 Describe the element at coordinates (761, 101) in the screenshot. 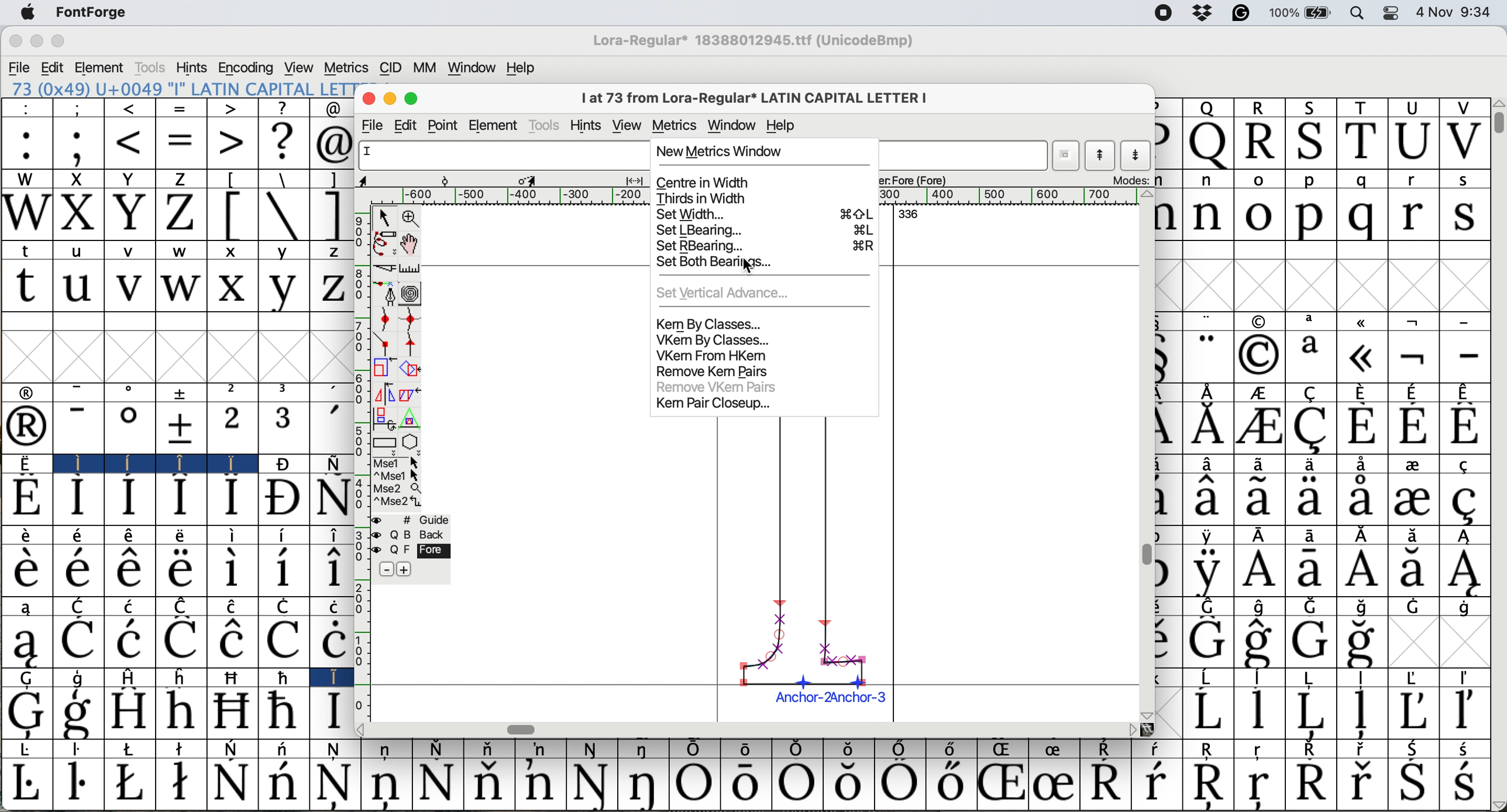

I see `I at 73from Lora-Regular* LATIN CAPITAL LETTER I` at that location.